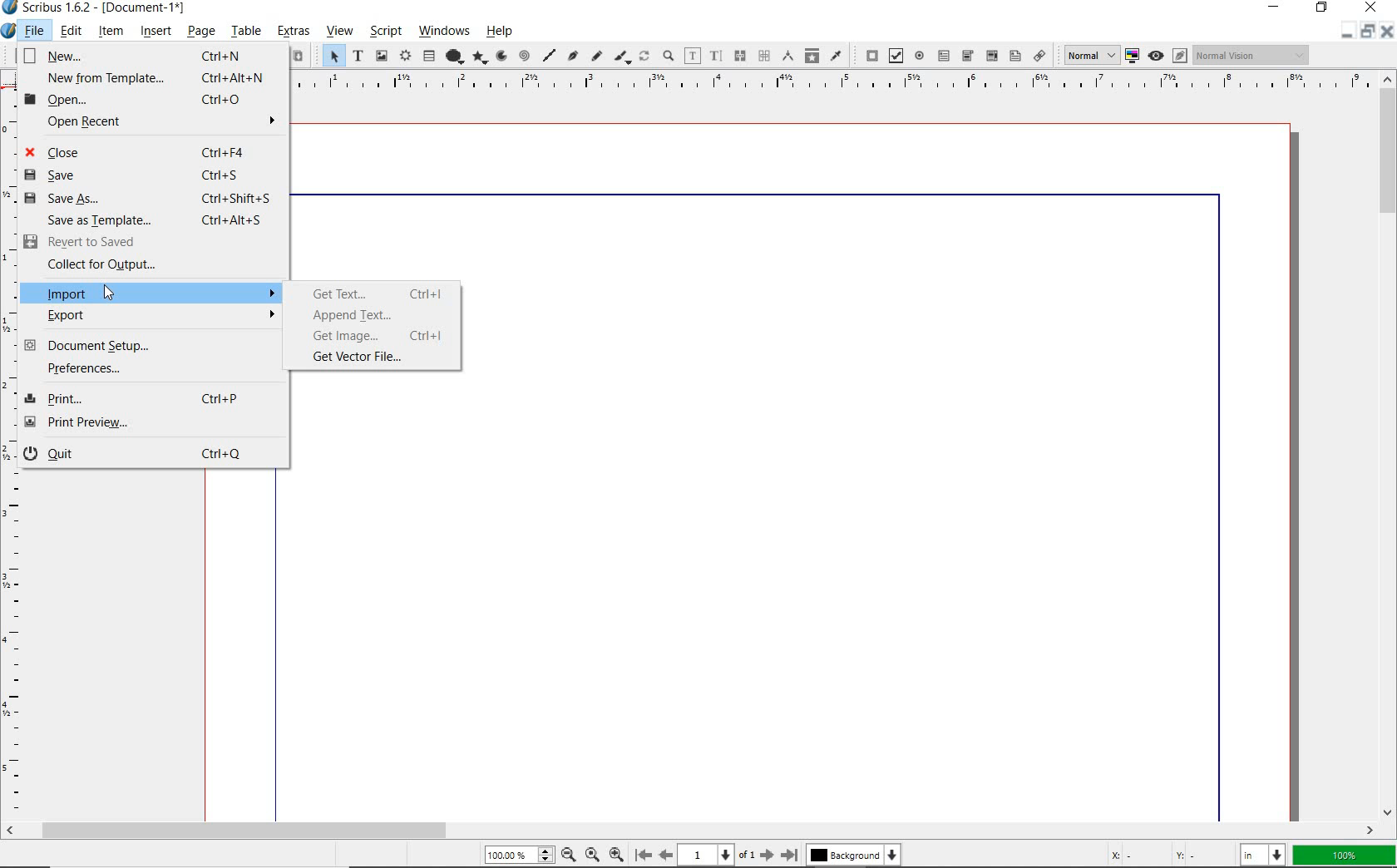 The height and width of the screenshot is (868, 1397). I want to click on unlink text frames, so click(764, 55).